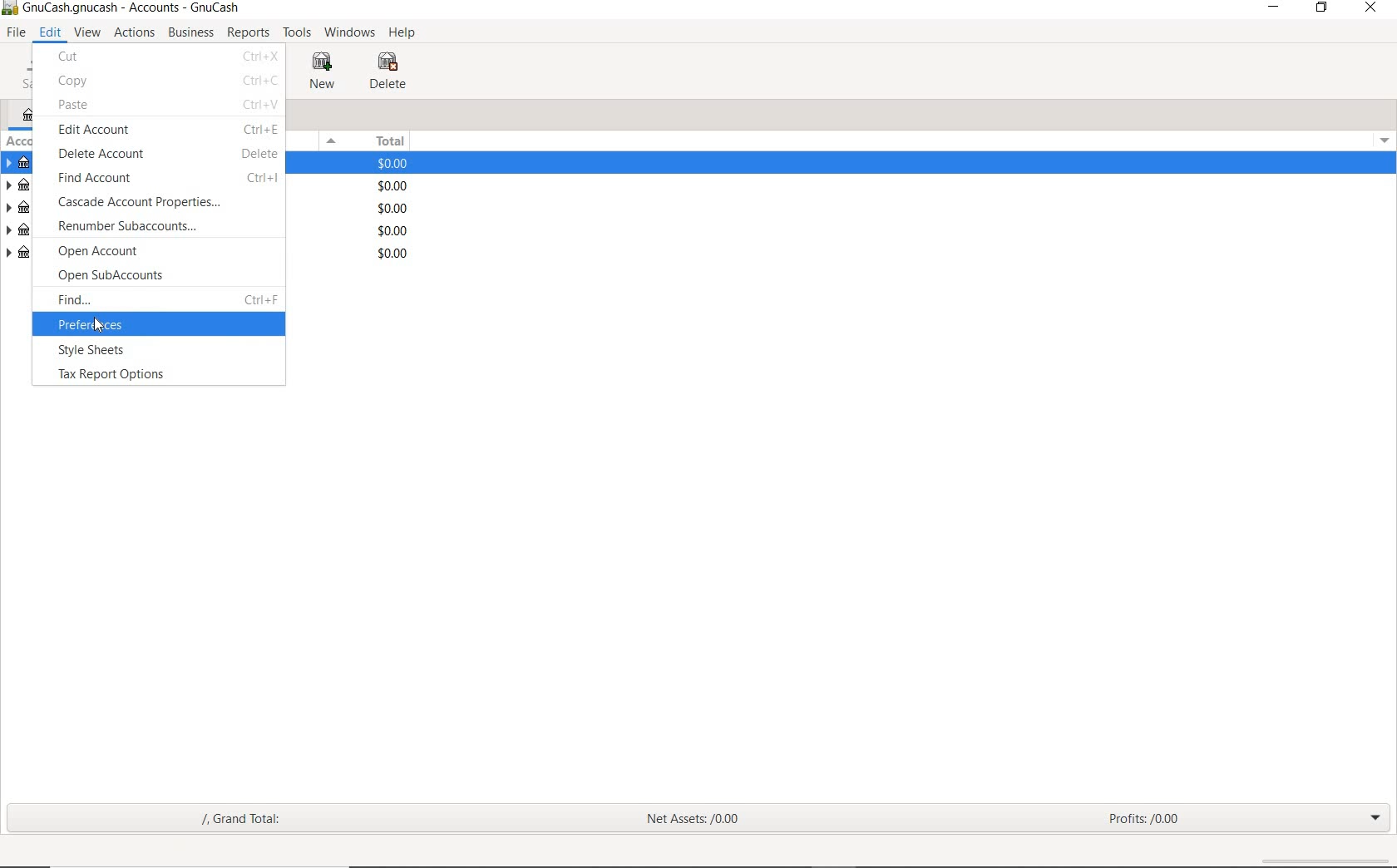 The image size is (1397, 868). I want to click on , so click(396, 254).